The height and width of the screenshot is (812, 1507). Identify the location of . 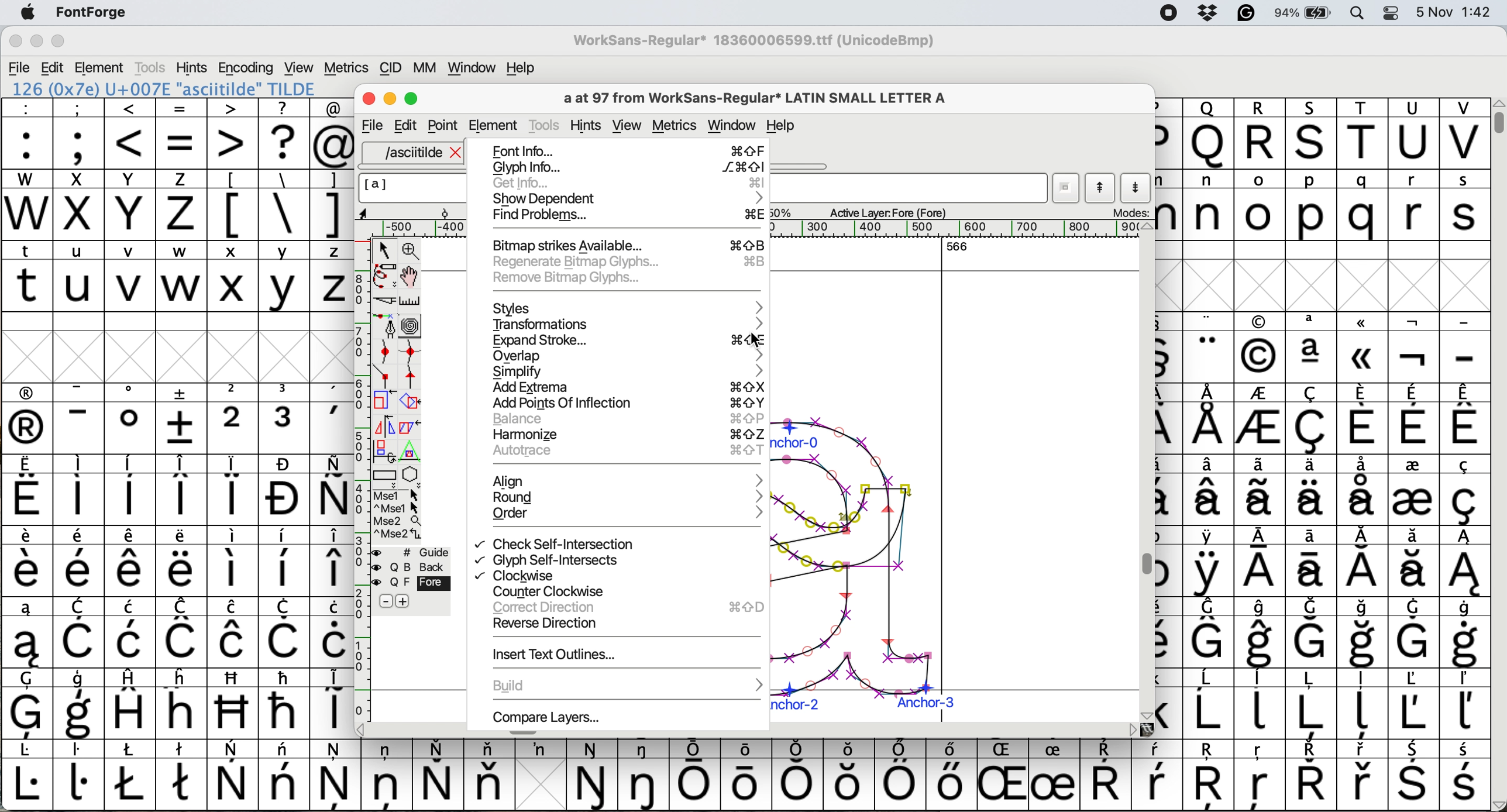
(1364, 347).